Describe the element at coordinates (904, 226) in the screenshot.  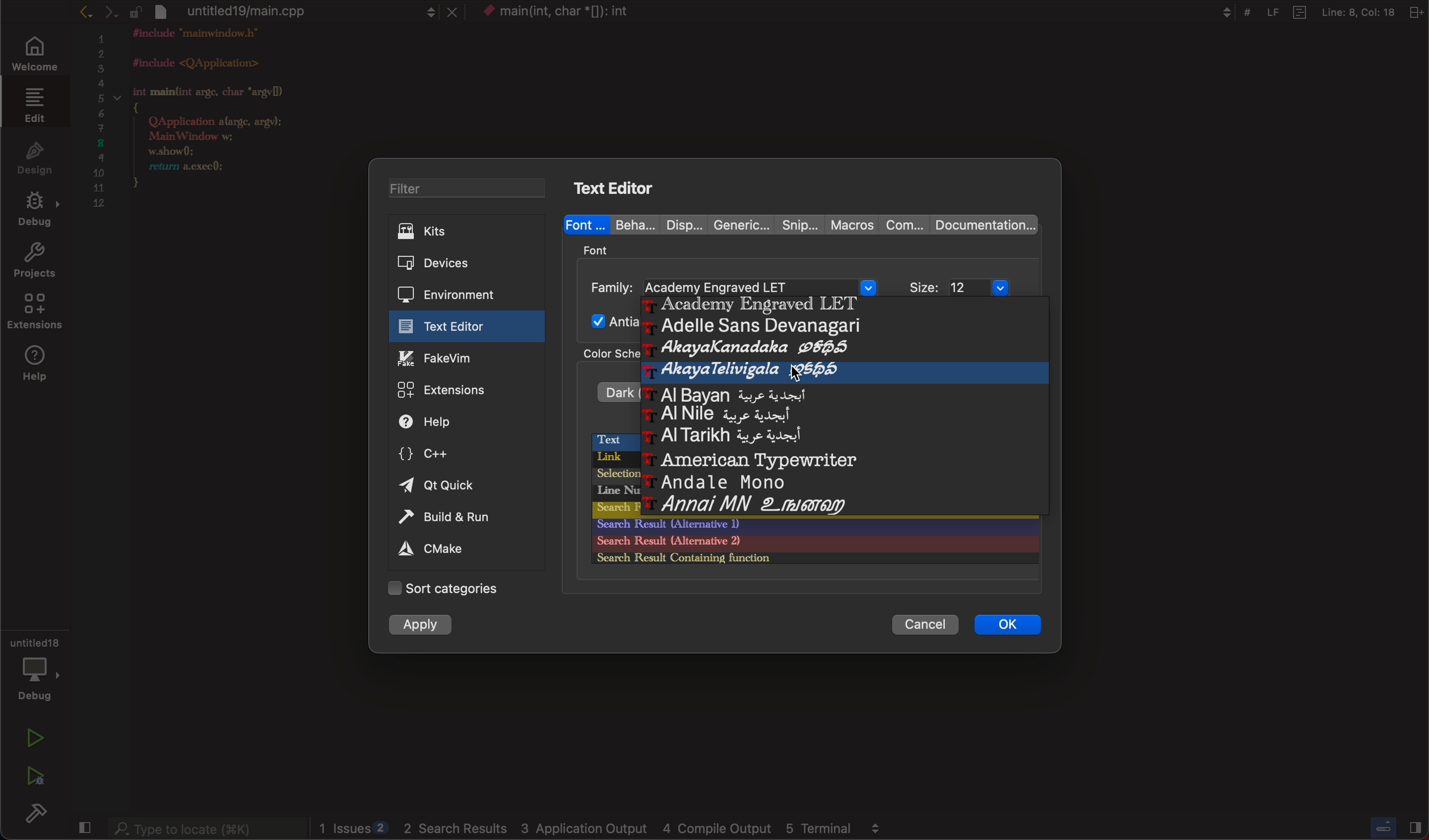
I see `com` at that location.